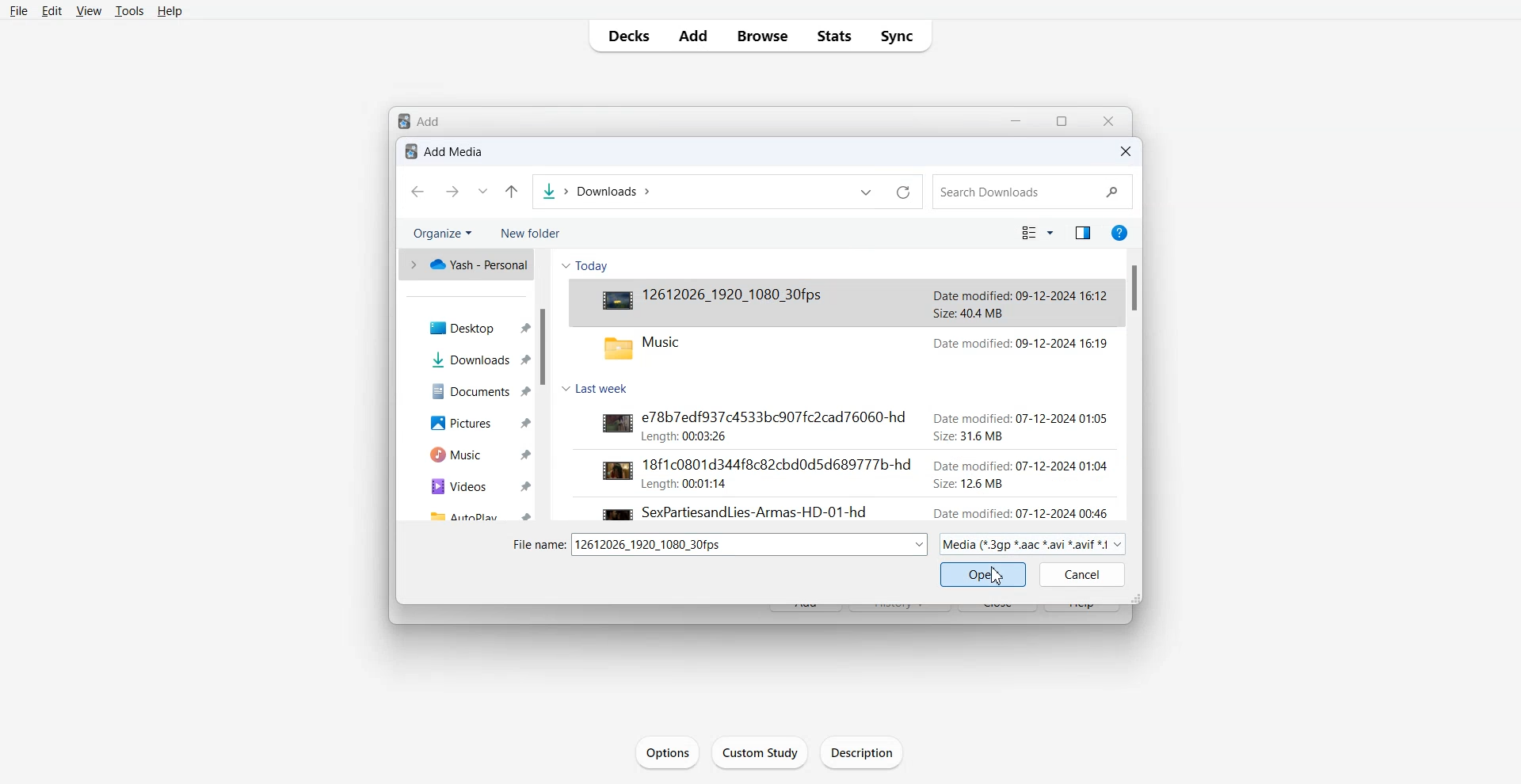 The width and height of the screenshot is (1521, 784). I want to click on music folder, so click(844, 348).